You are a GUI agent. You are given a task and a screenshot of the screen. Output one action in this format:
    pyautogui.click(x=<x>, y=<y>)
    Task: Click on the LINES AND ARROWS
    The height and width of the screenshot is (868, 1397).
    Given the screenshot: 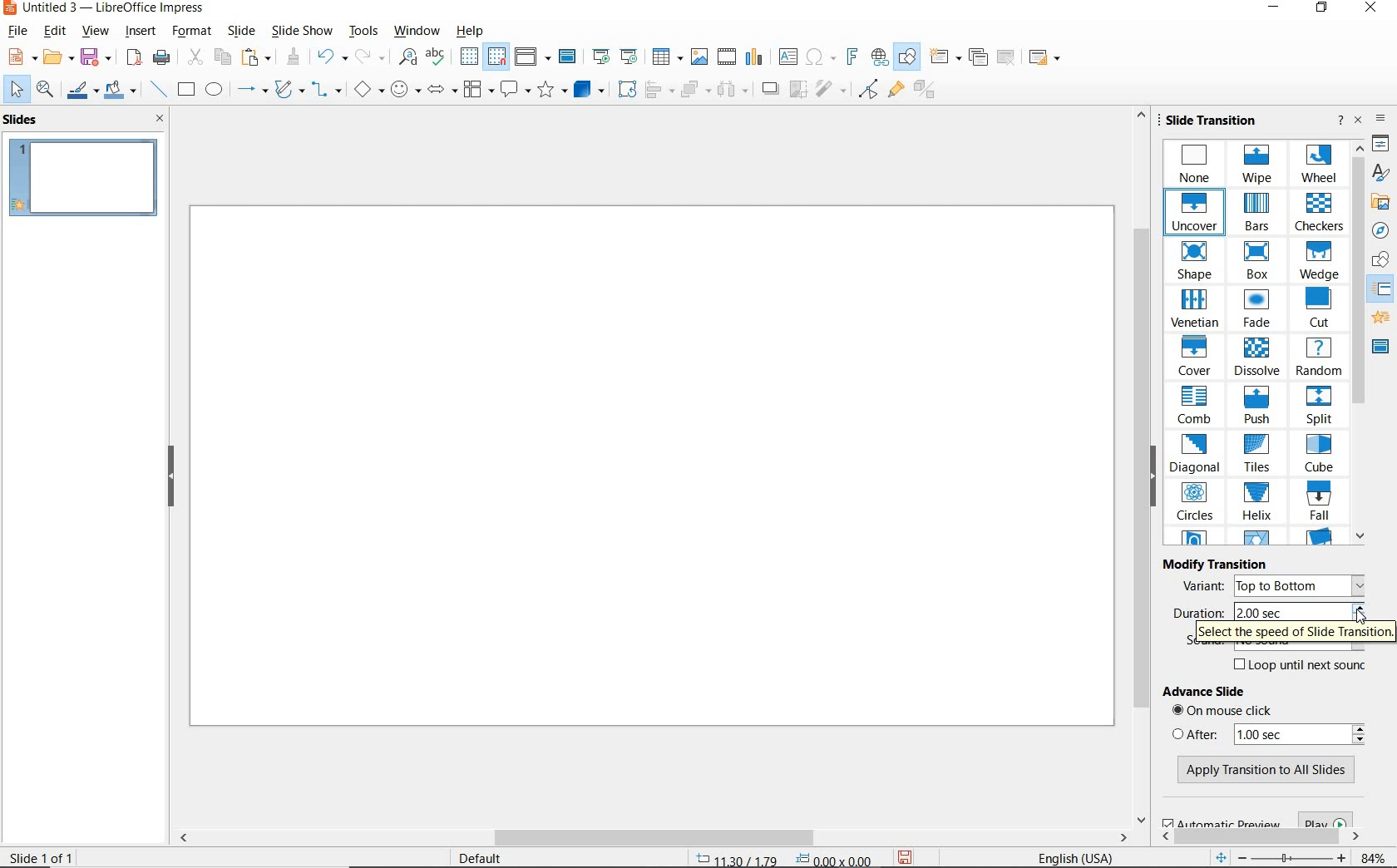 What is the action you would take?
    pyautogui.click(x=250, y=90)
    